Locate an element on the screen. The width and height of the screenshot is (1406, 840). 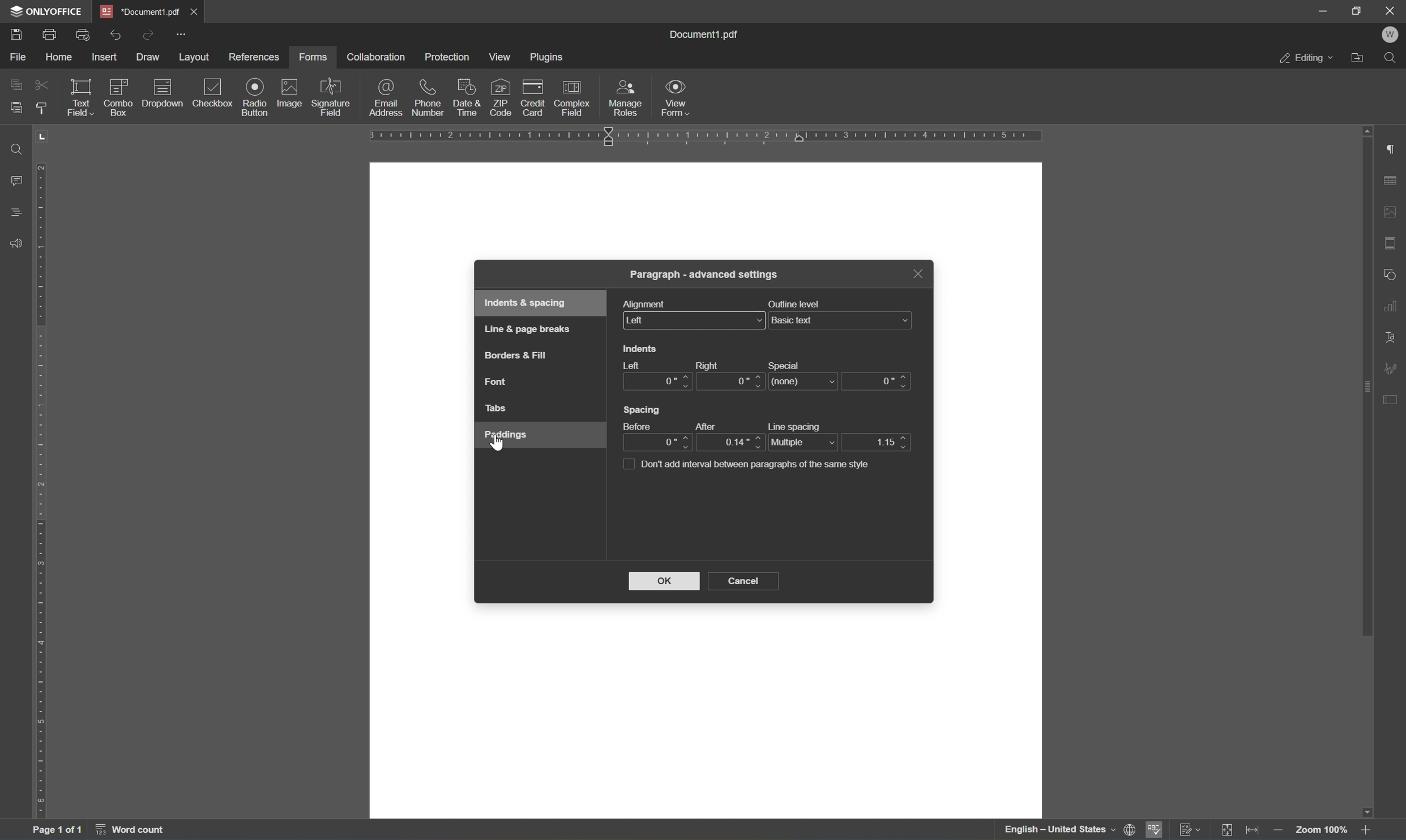
protection is located at coordinates (448, 57).